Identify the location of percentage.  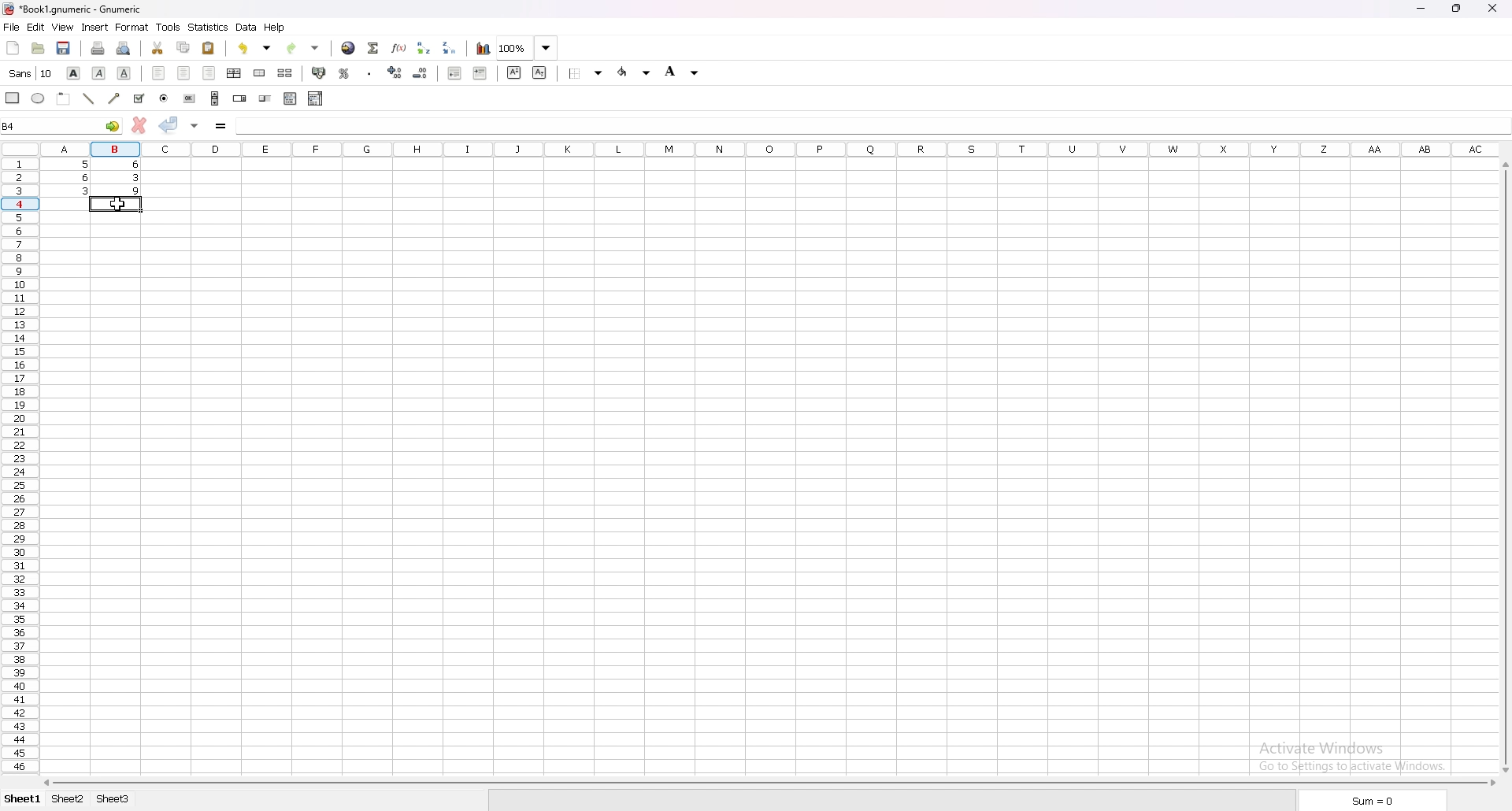
(343, 72).